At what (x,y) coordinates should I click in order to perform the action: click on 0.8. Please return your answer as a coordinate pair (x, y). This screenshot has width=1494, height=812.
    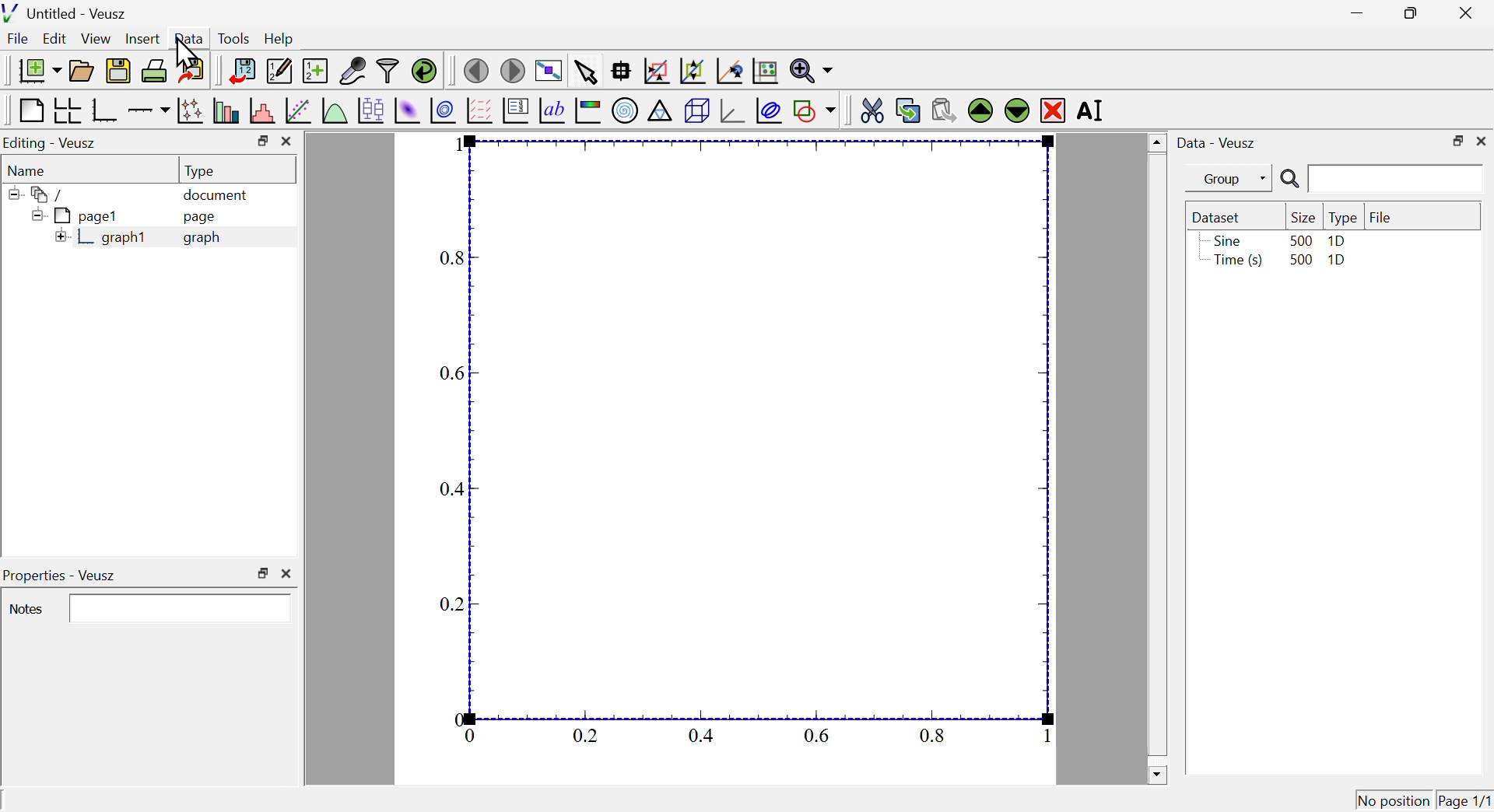
    Looking at the image, I should click on (454, 259).